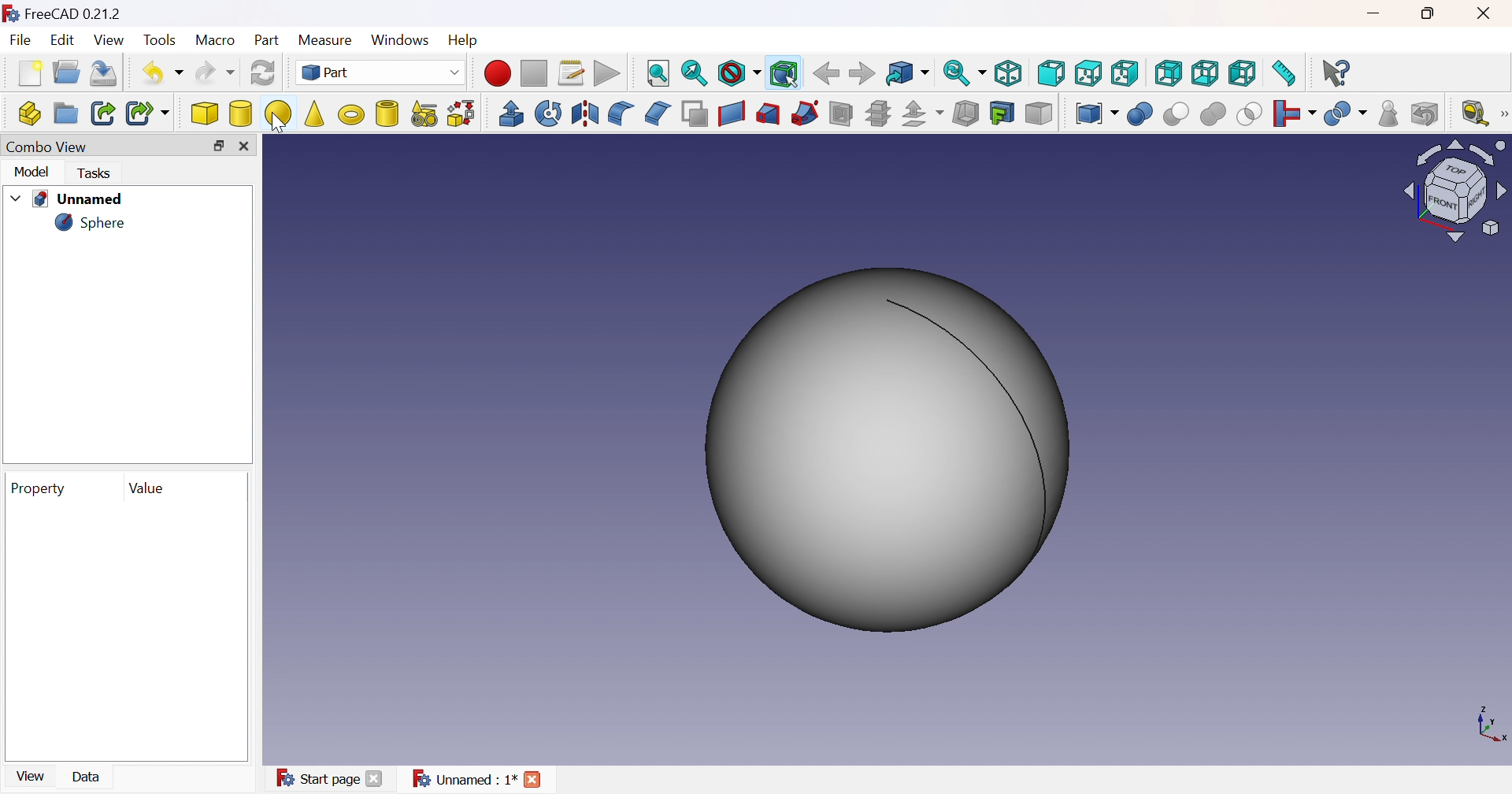 The height and width of the screenshot is (794, 1512). I want to click on Stop macro recording, so click(533, 72).